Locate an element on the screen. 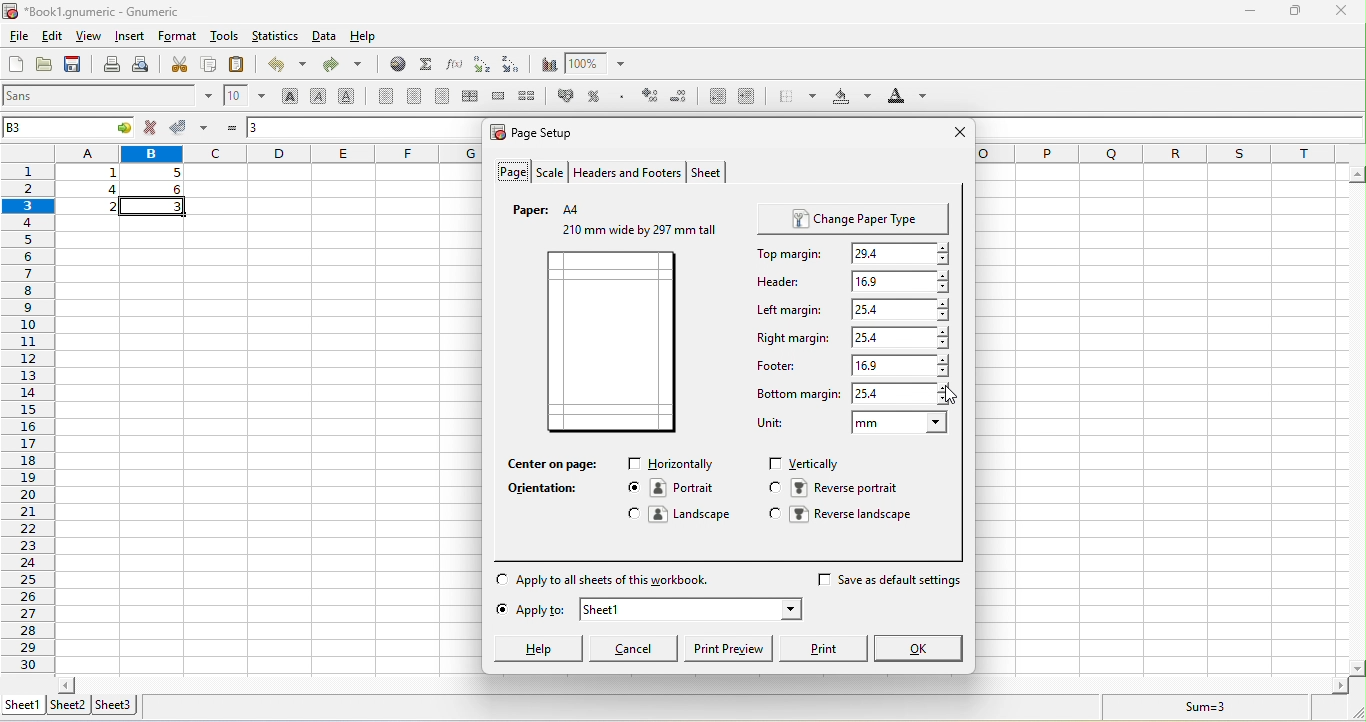  borders is located at coordinates (793, 97).